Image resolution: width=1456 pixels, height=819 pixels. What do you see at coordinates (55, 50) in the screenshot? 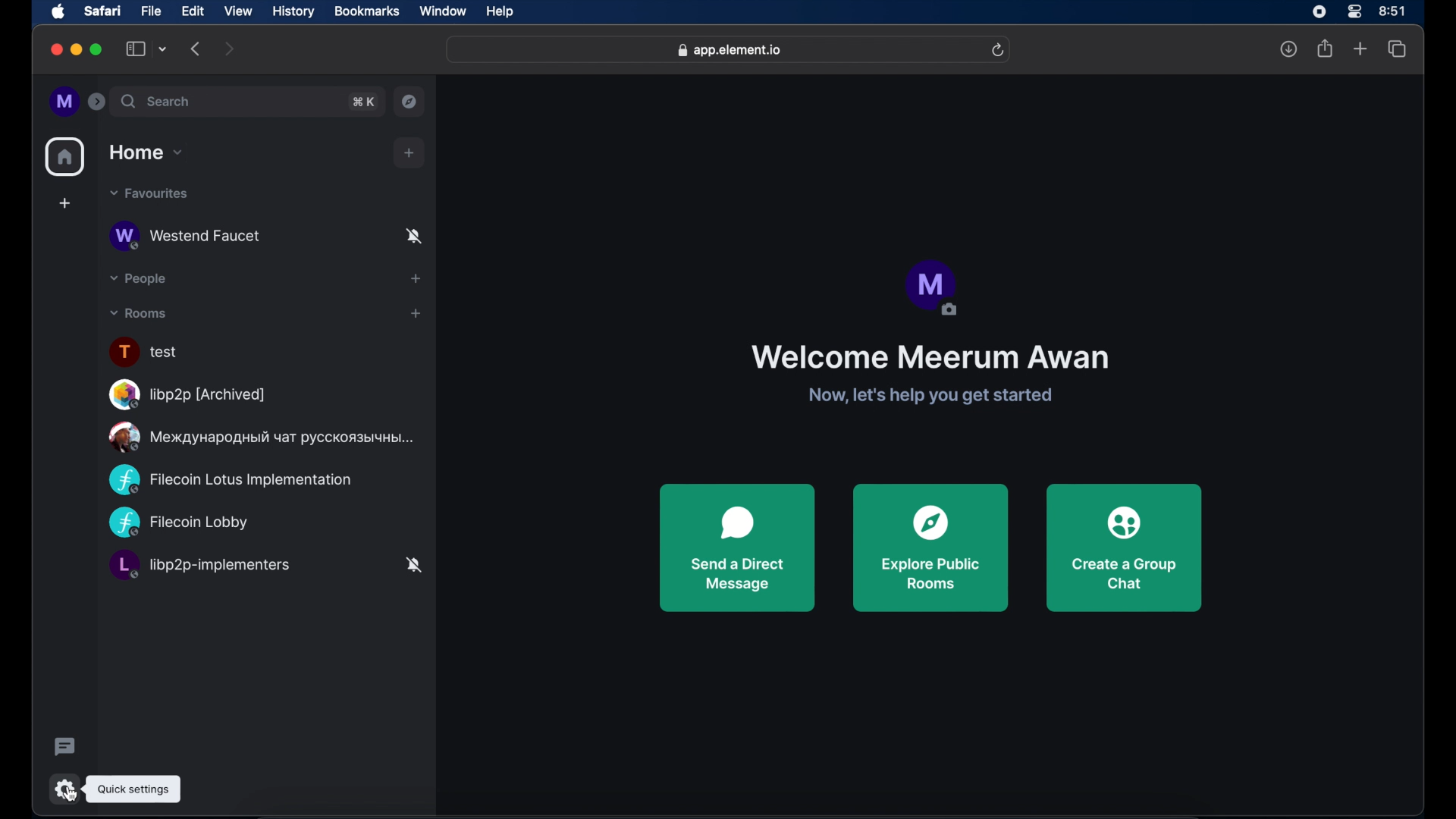
I see `close` at bounding box center [55, 50].